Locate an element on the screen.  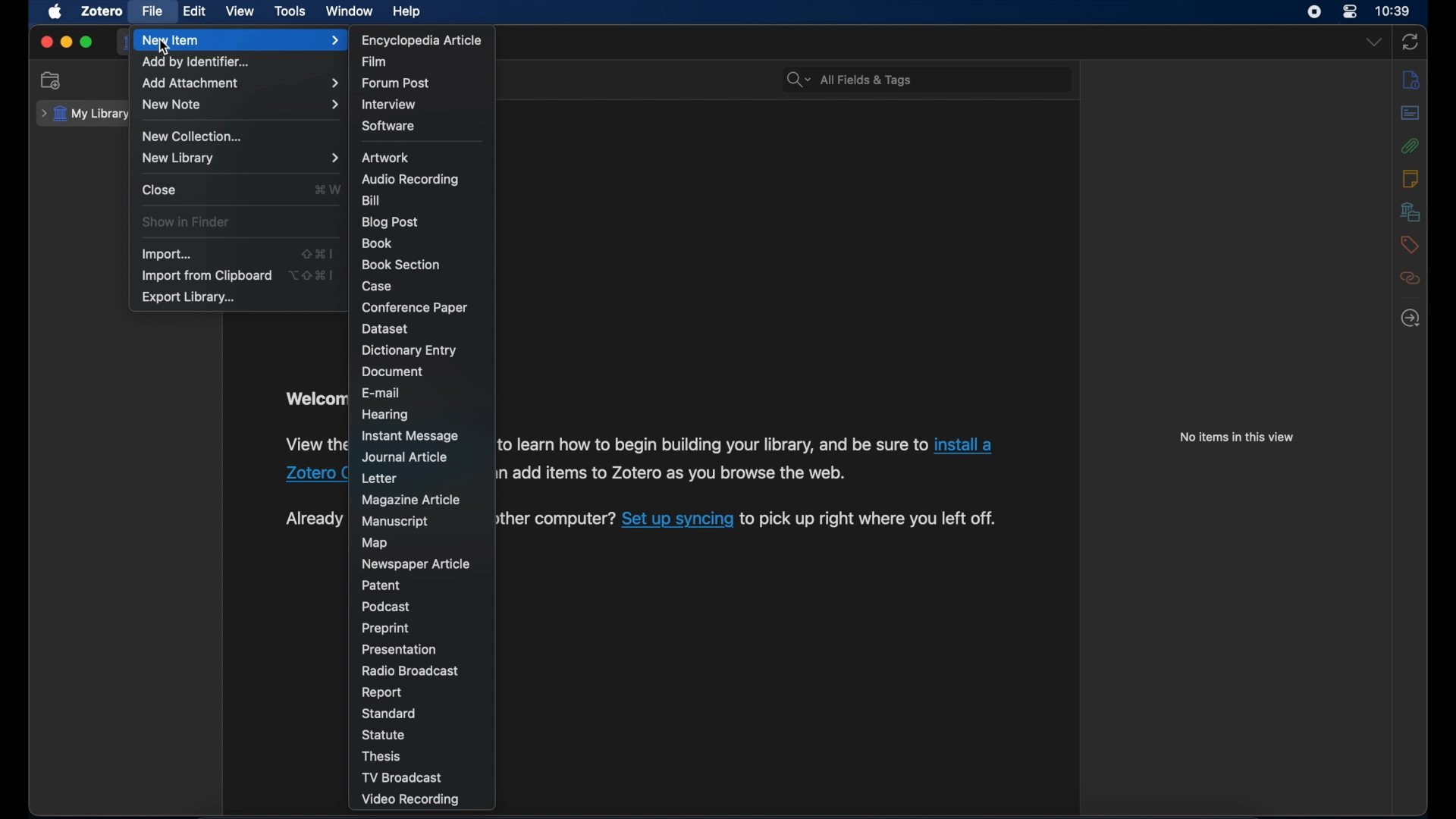
report is located at coordinates (383, 693).